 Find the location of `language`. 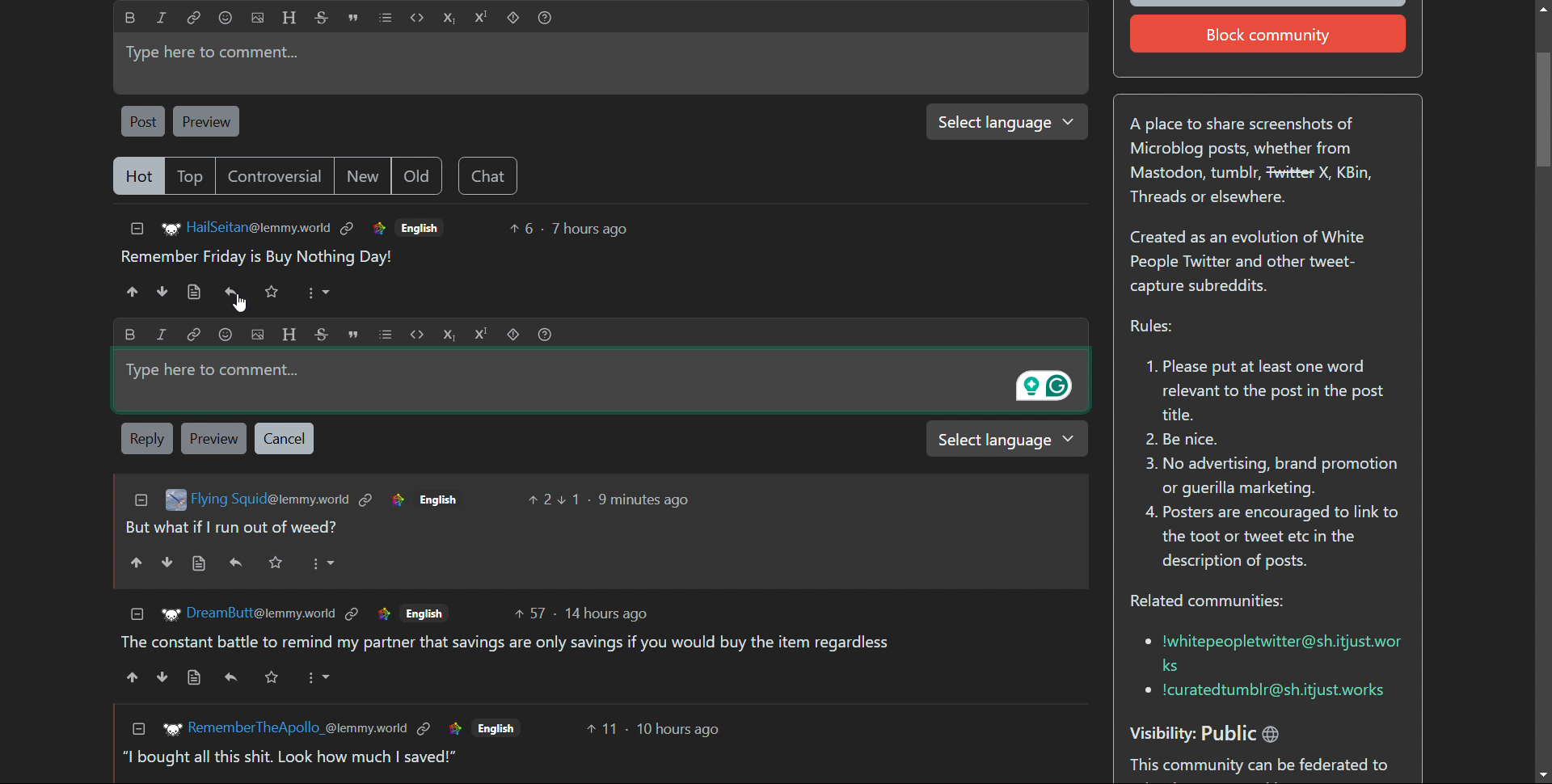

language is located at coordinates (496, 731).